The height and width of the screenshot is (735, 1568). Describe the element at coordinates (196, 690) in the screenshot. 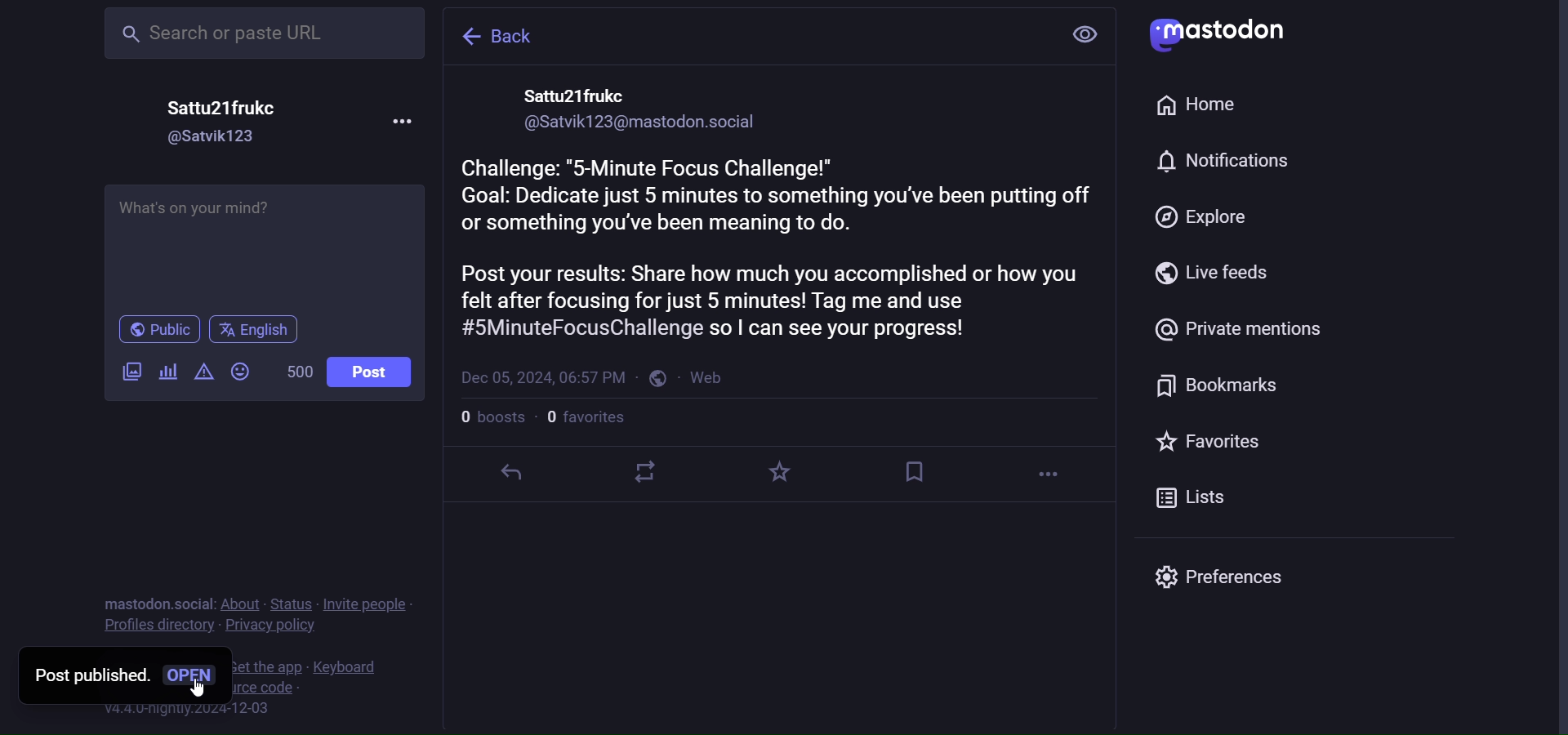

I see `cursor` at that location.